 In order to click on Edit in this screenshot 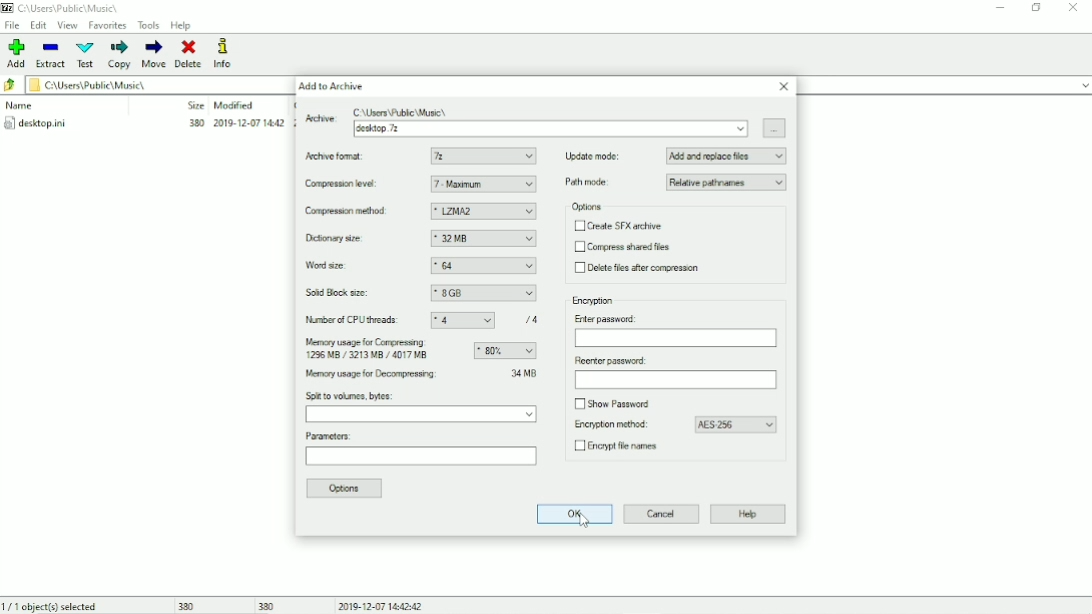, I will do `click(39, 25)`.